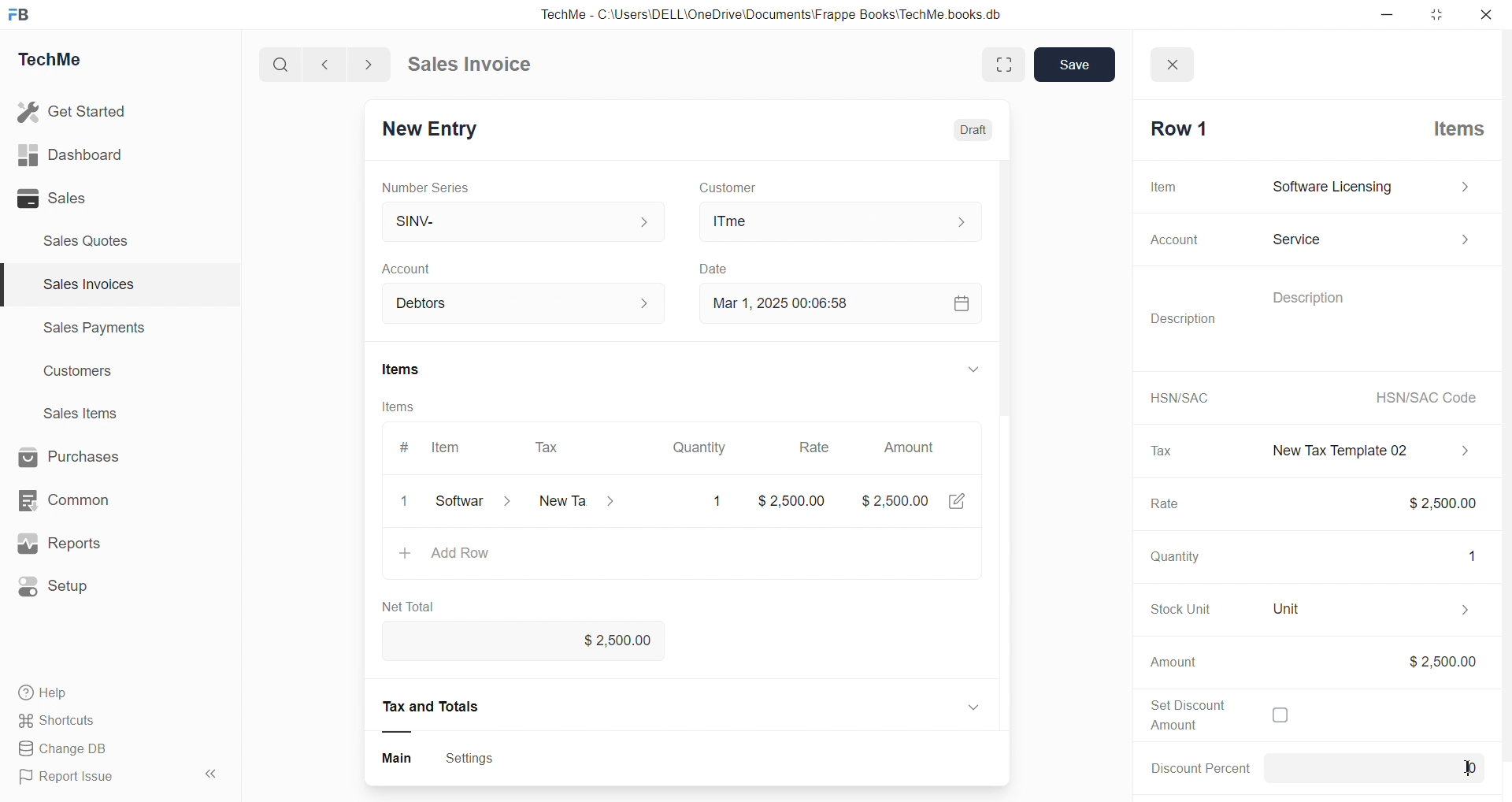 Image resolution: width=1512 pixels, height=802 pixels. Describe the element at coordinates (78, 154) in the screenshot. I see `ull Dashboard` at that location.